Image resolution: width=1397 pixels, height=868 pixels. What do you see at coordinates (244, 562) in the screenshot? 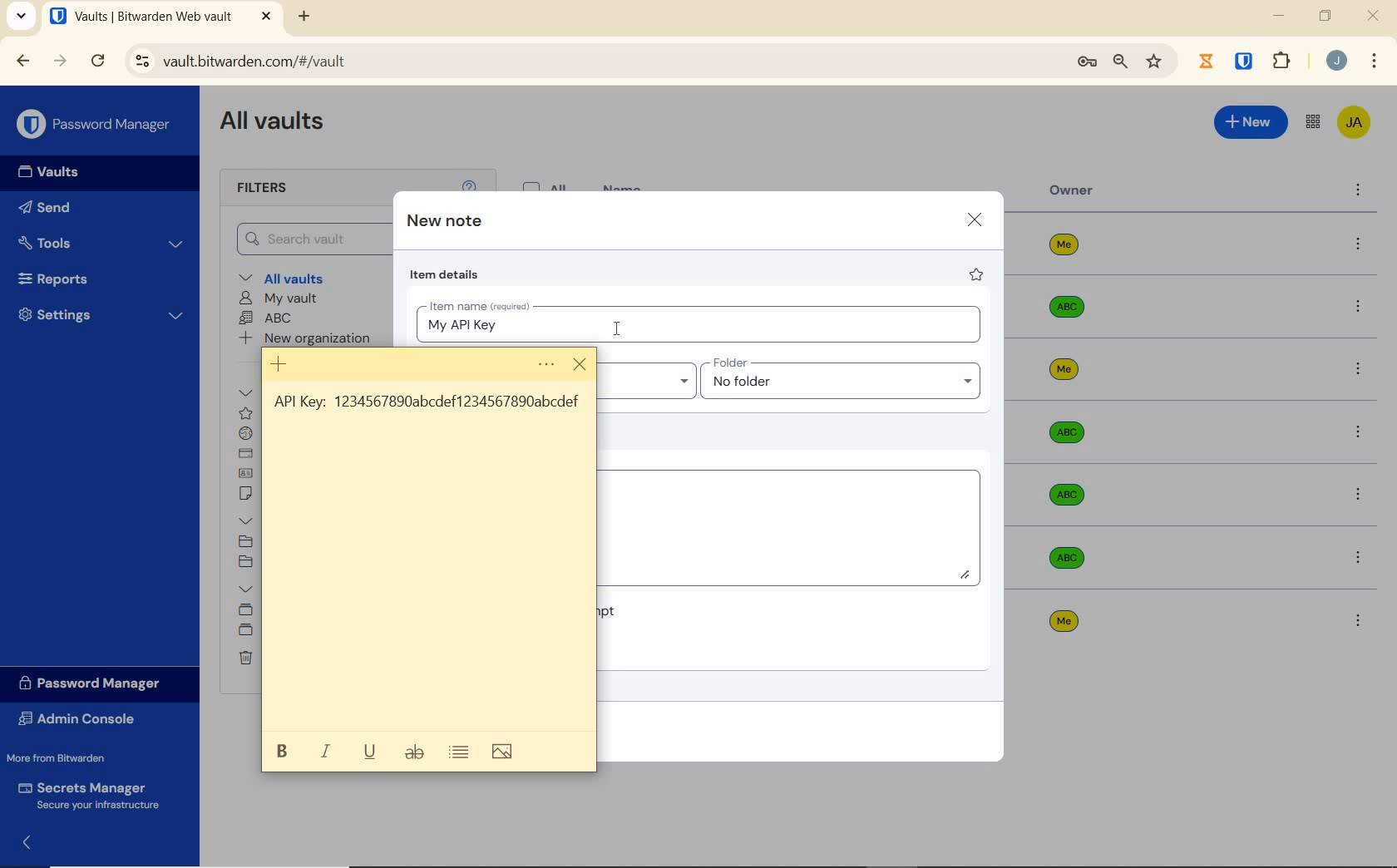
I see `No folder` at bounding box center [244, 562].